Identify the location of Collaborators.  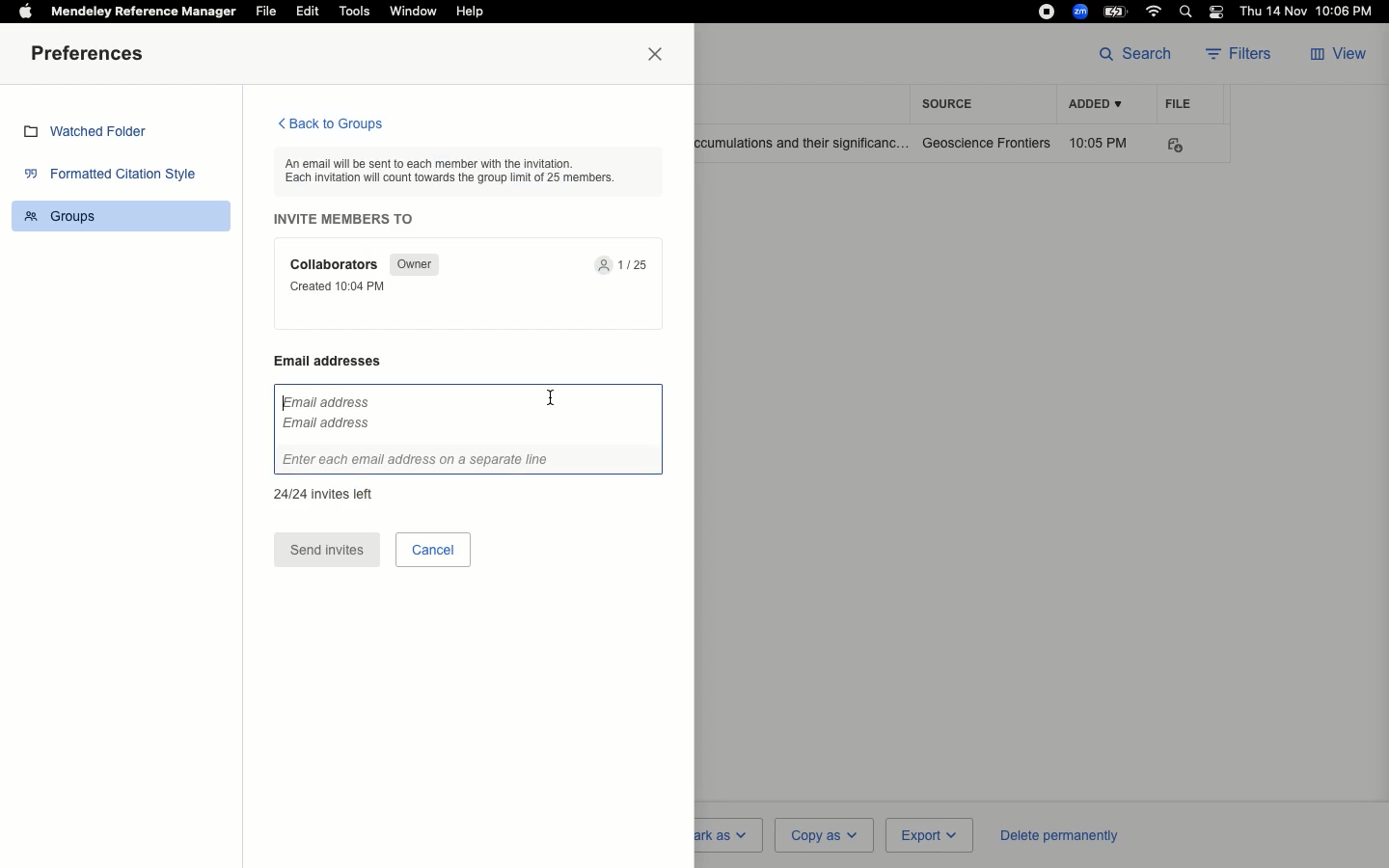
(337, 264).